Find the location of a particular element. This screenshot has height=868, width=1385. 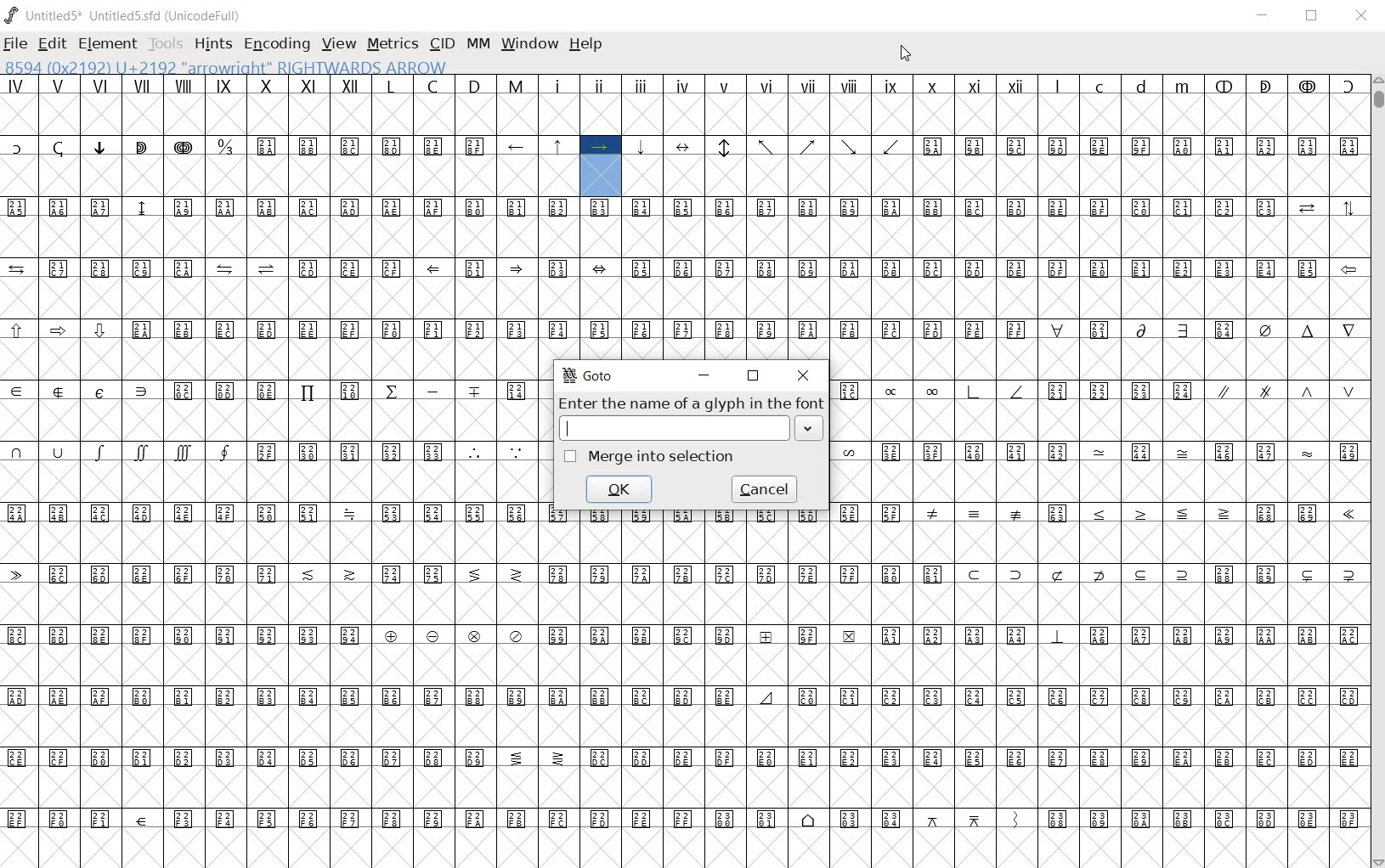

MINIMIZE is located at coordinates (1263, 16).